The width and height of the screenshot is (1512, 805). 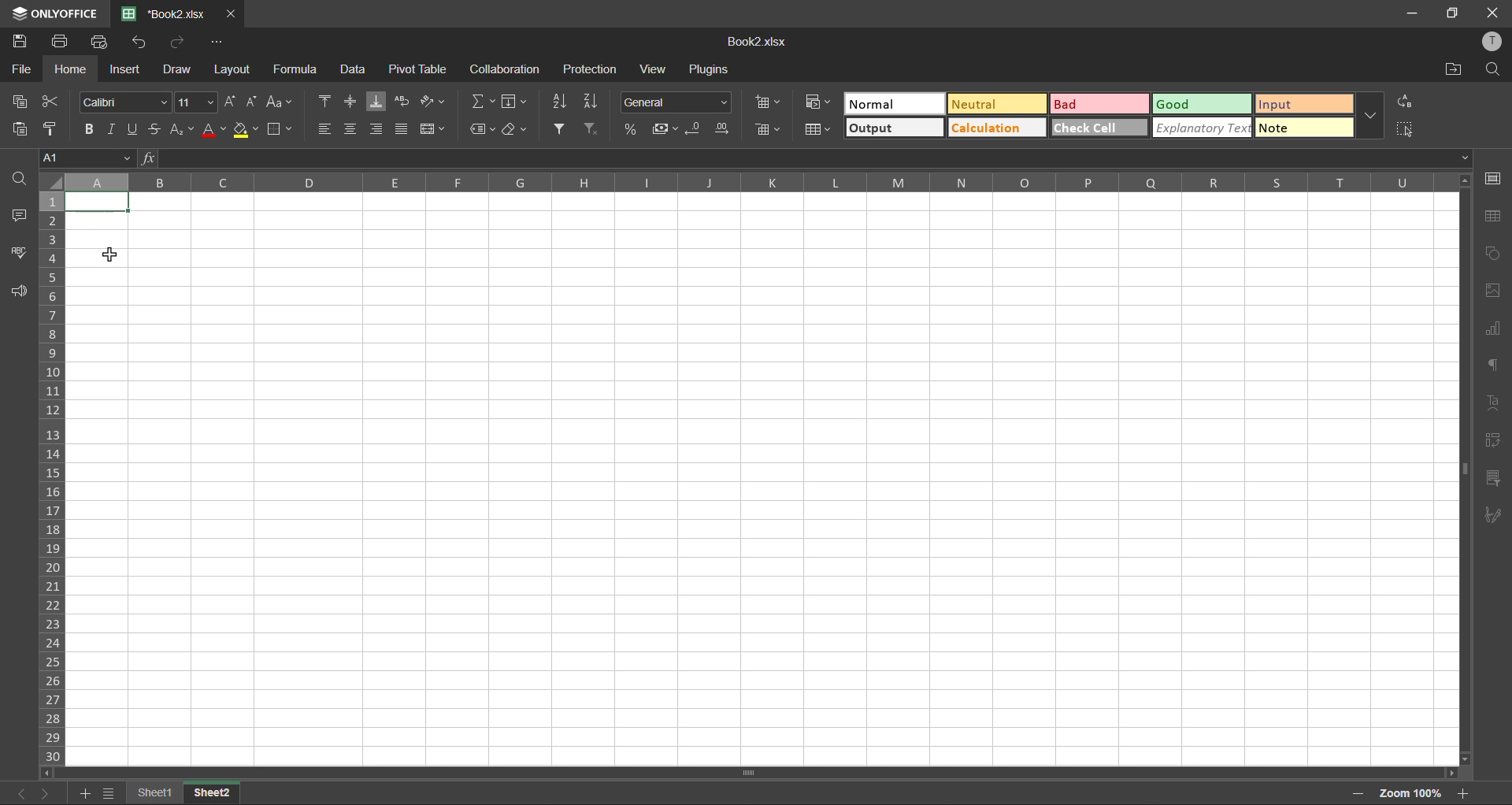 What do you see at coordinates (20, 215) in the screenshot?
I see `comments` at bounding box center [20, 215].